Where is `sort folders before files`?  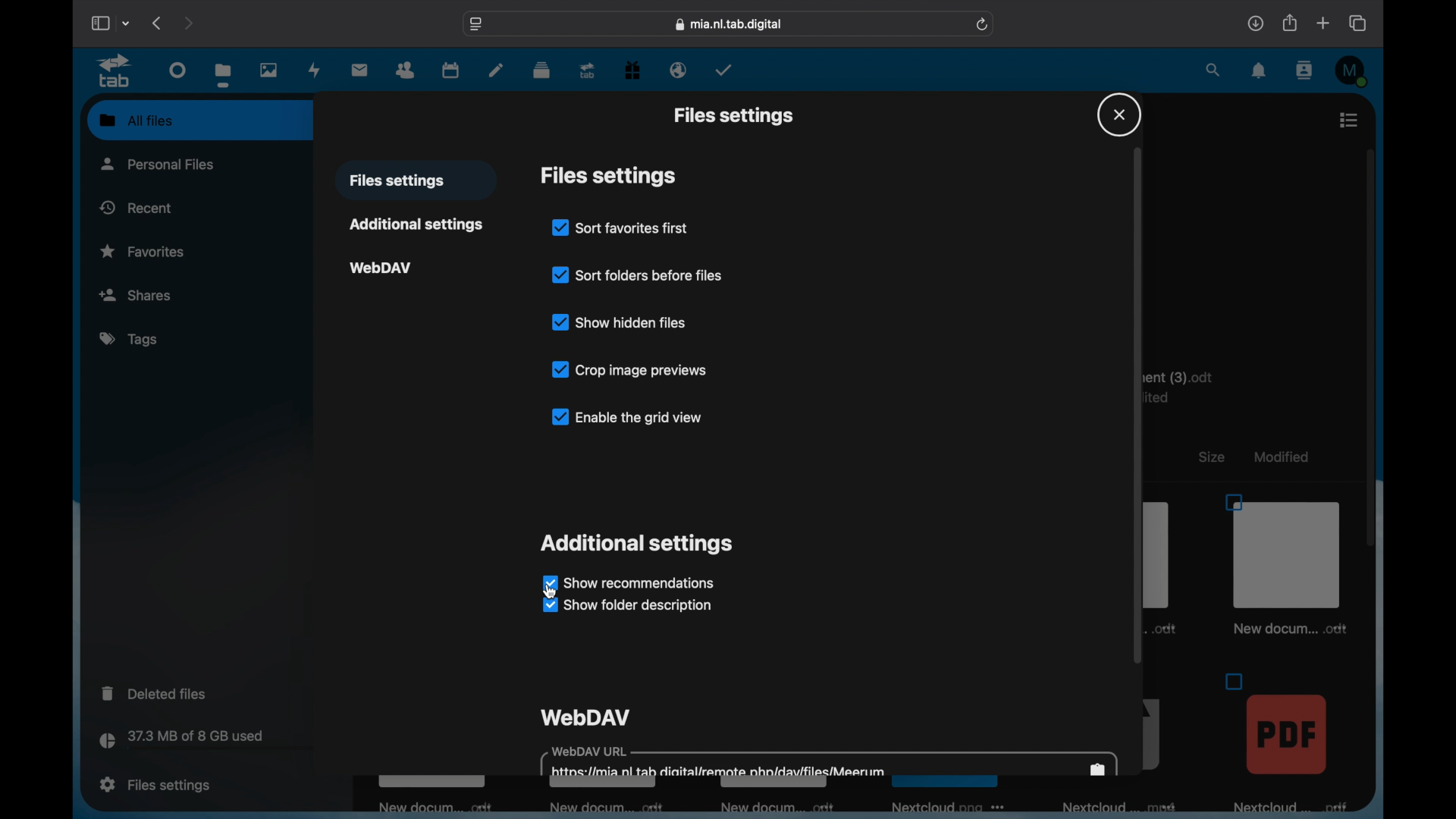 sort folders before files is located at coordinates (640, 274).